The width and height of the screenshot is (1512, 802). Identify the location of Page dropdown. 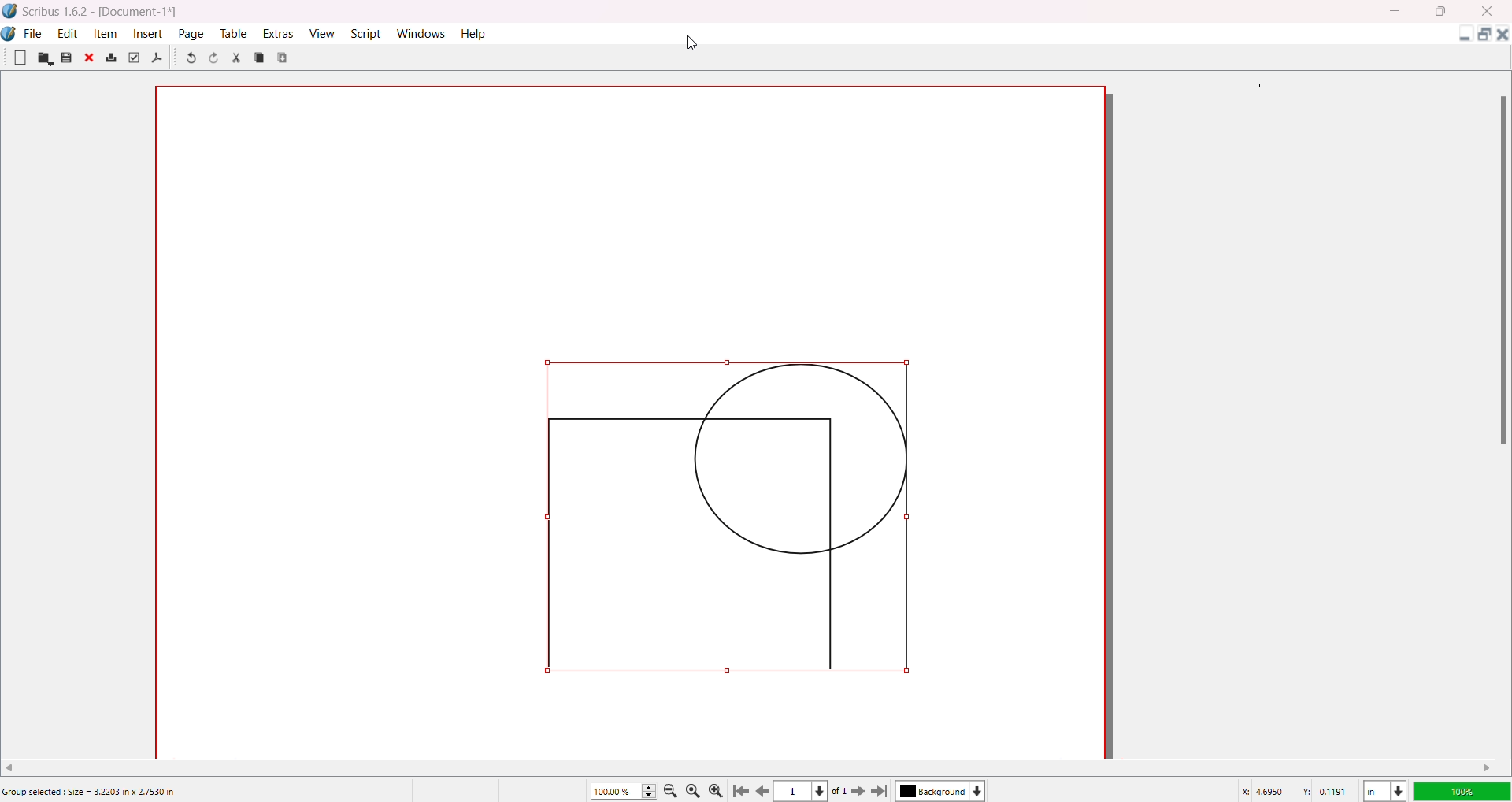
(826, 790).